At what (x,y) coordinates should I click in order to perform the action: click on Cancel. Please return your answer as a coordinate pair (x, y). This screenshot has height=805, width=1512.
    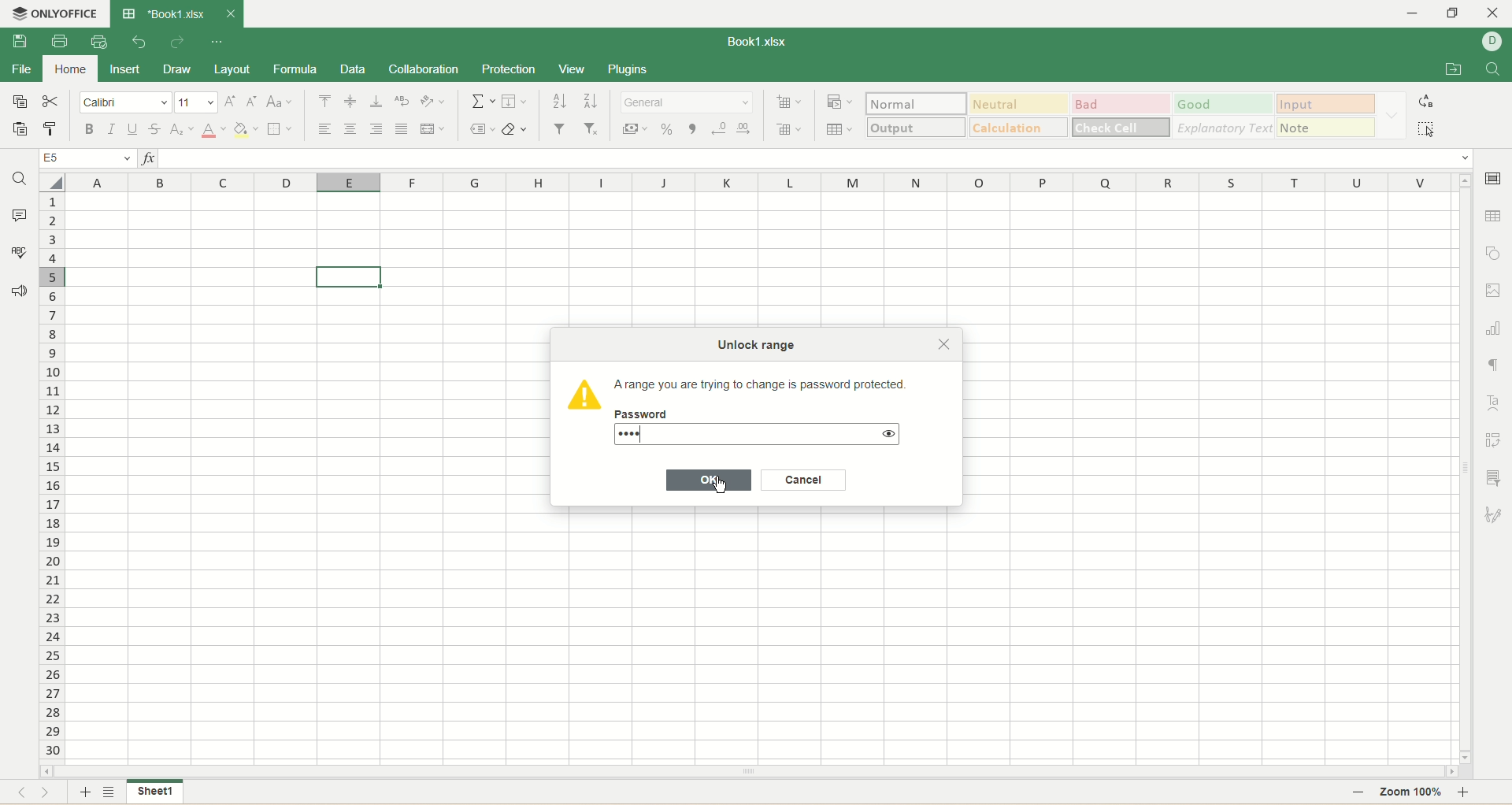
    Looking at the image, I should click on (810, 481).